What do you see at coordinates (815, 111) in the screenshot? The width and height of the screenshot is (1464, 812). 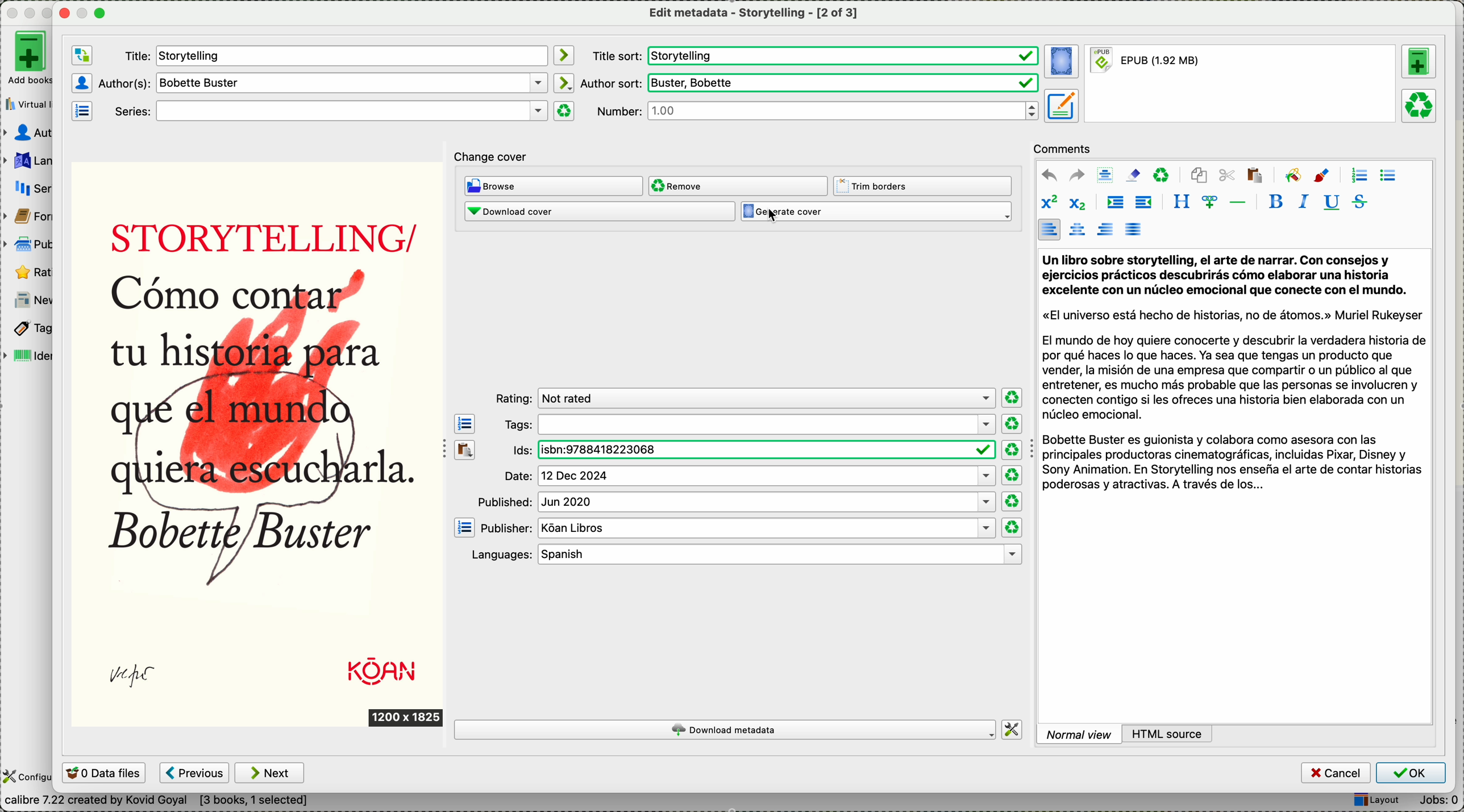 I see `number` at bounding box center [815, 111].